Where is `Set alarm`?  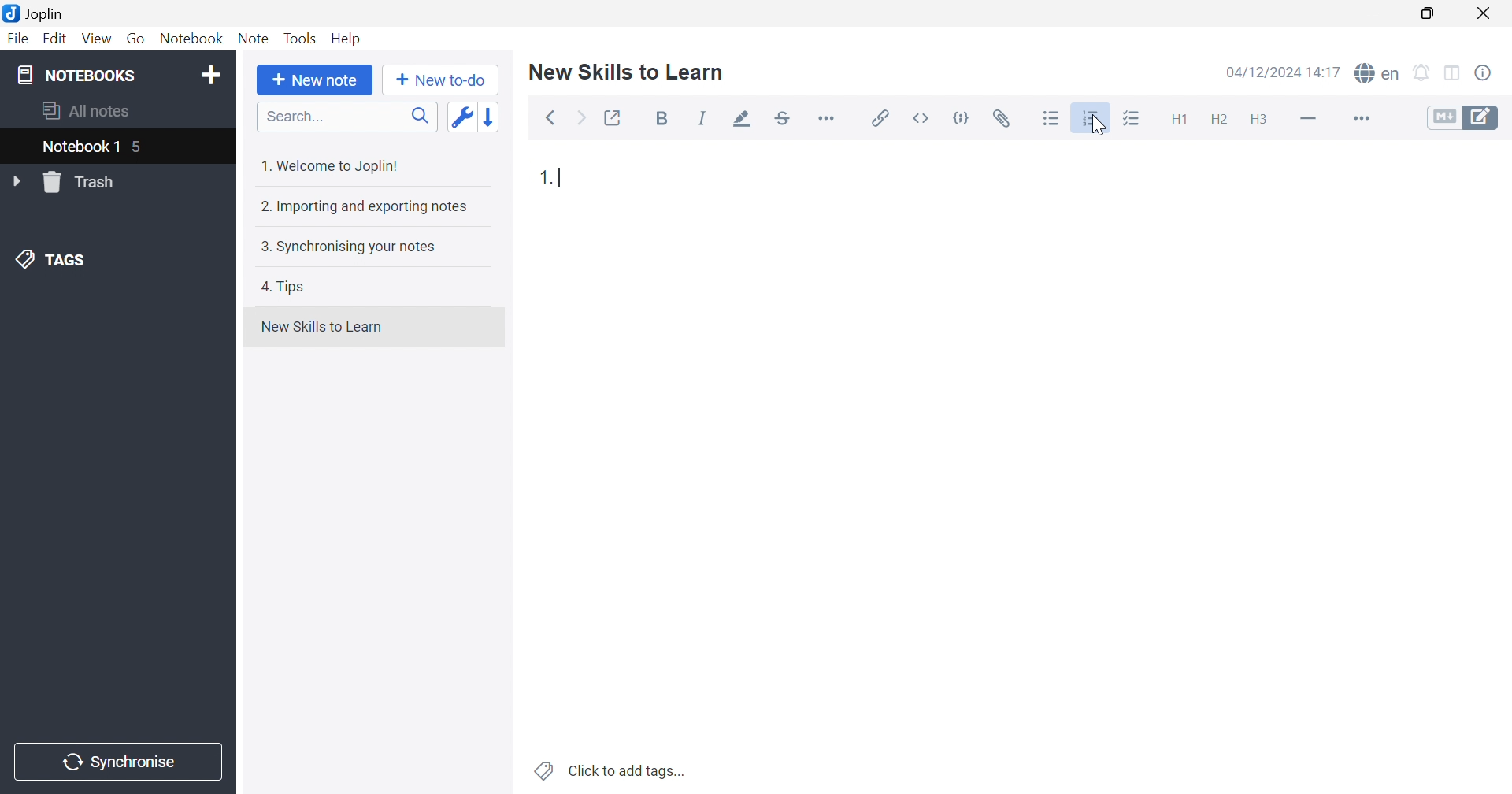 Set alarm is located at coordinates (1422, 73).